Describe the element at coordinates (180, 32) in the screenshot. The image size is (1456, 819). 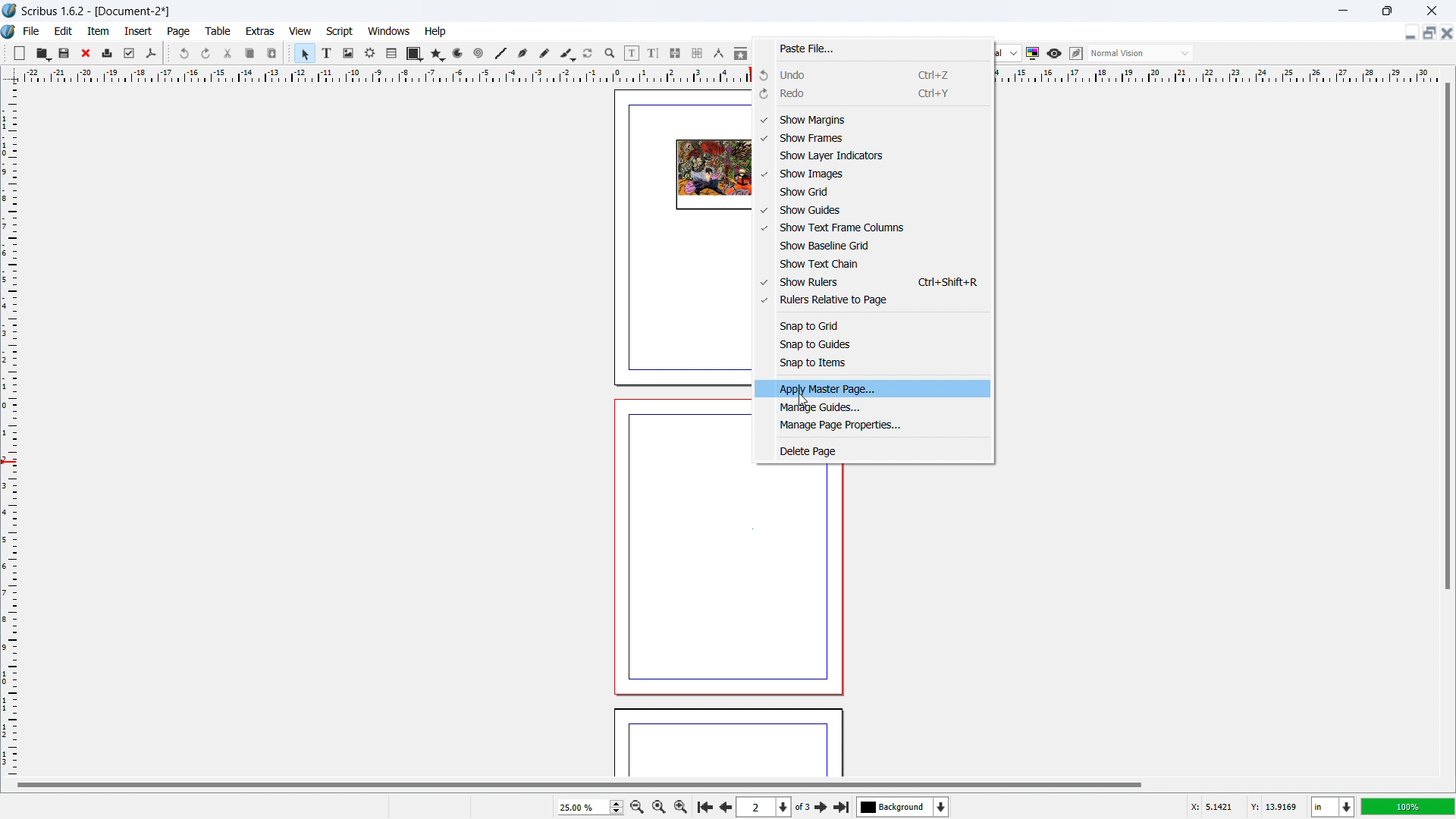
I see `page` at that location.